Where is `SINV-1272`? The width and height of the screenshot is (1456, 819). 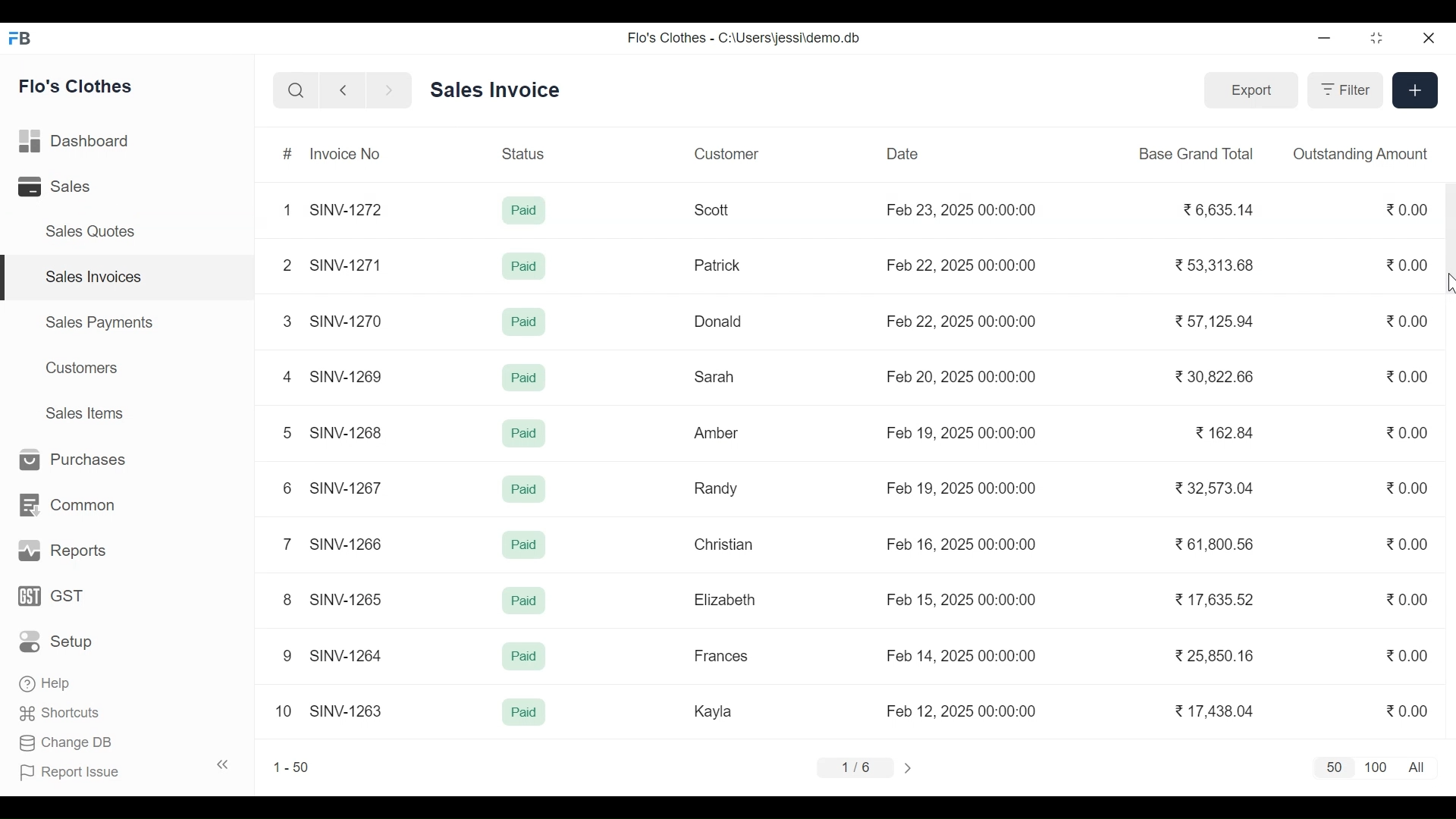 SINV-1272 is located at coordinates (350, 209).